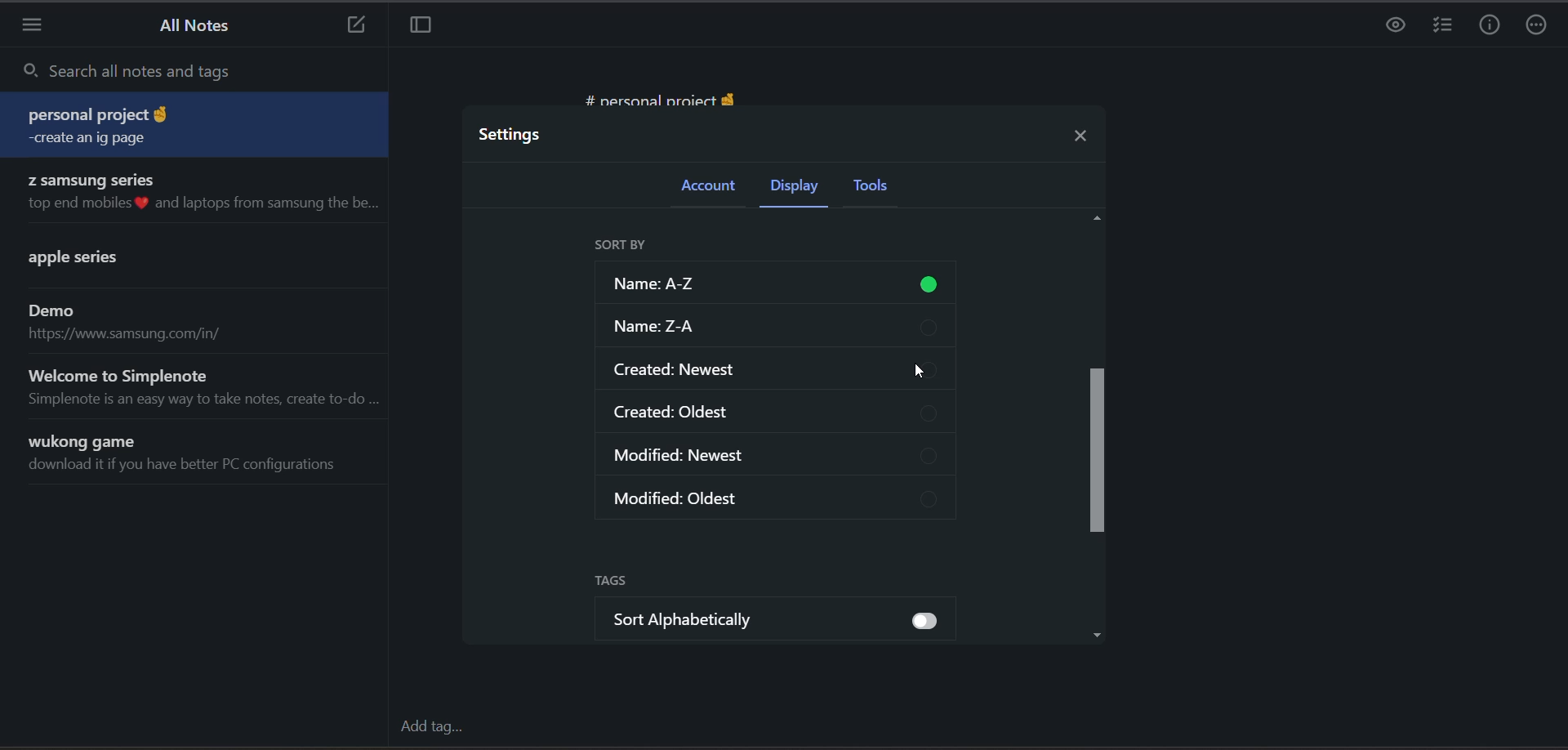 The image size is (1568, 750). Describe the element at coordinates (1093, 634) in the screenshot. I see `Down` at that location.